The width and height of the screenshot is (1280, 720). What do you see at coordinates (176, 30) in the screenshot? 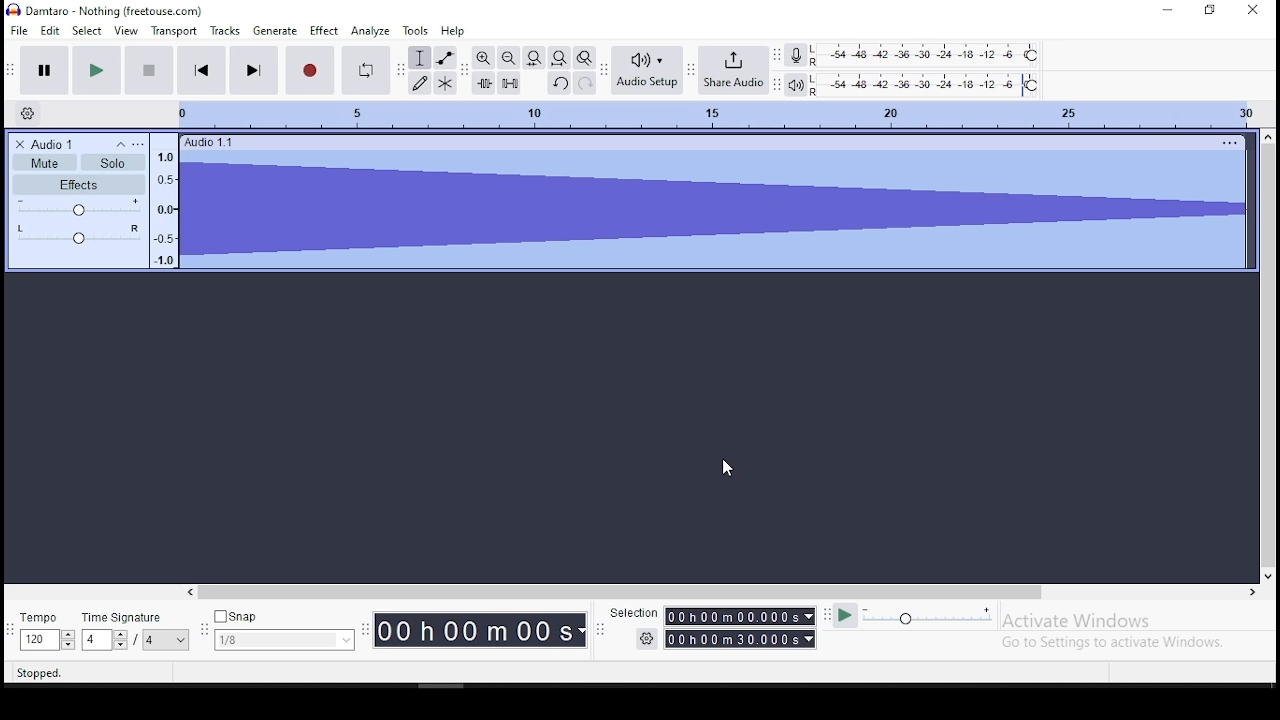
I see `transport` at bounding box center [176, 30].